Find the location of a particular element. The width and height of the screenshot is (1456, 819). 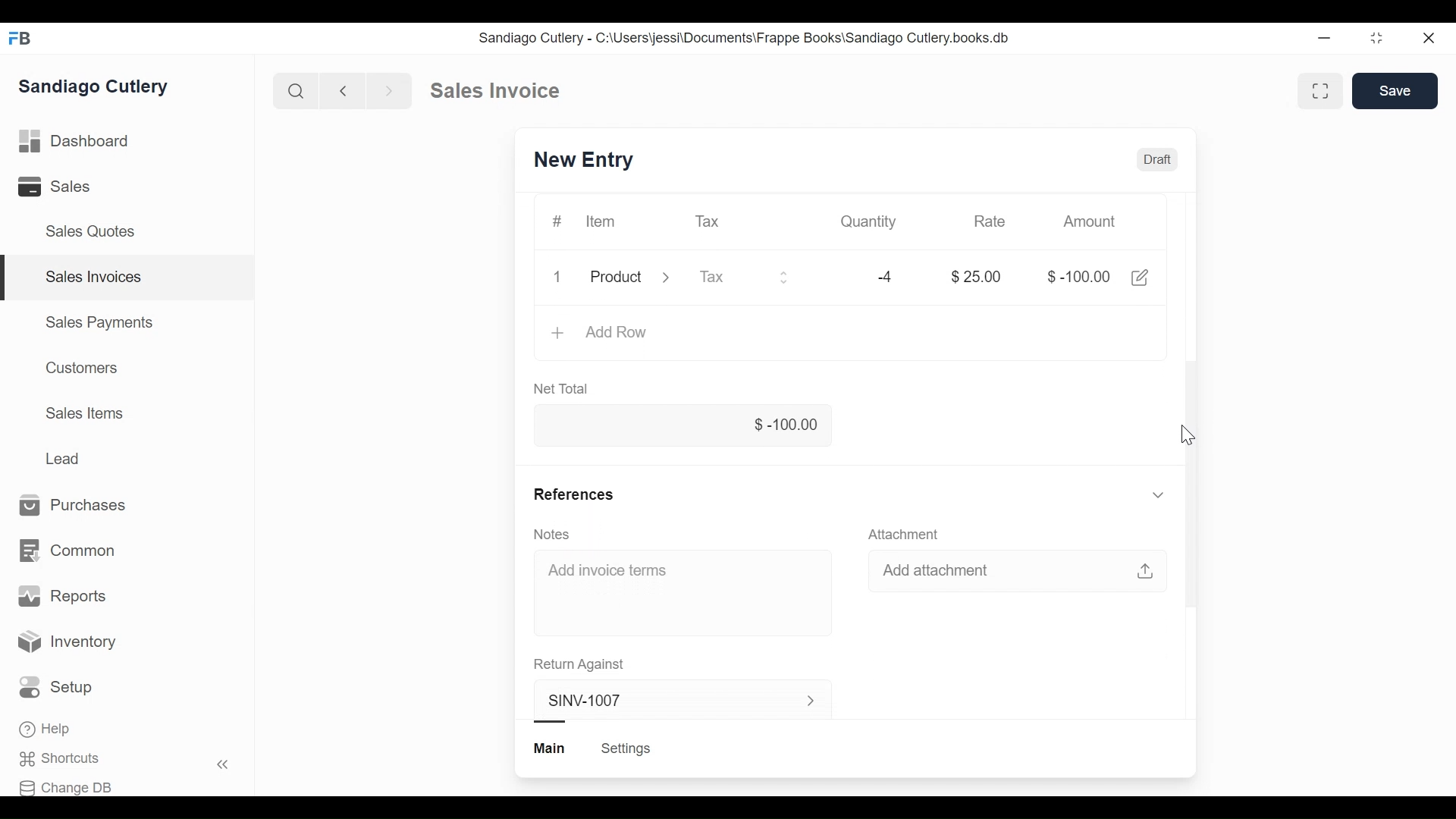

Attachment is located at coordinates (906, 533).